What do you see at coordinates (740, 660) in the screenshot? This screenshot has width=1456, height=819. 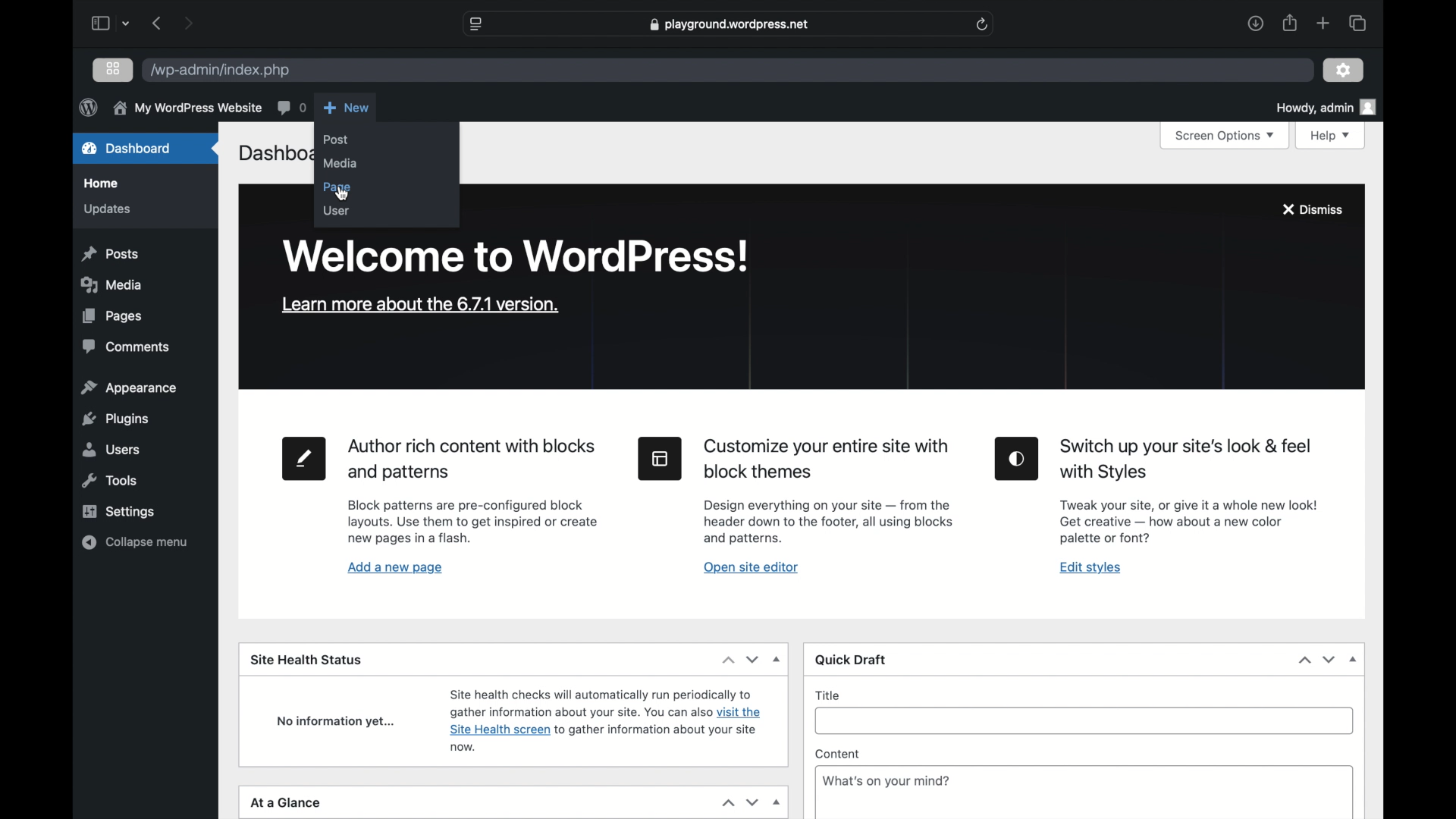 I see `stepper buttons` at bounding box center [740, 660].